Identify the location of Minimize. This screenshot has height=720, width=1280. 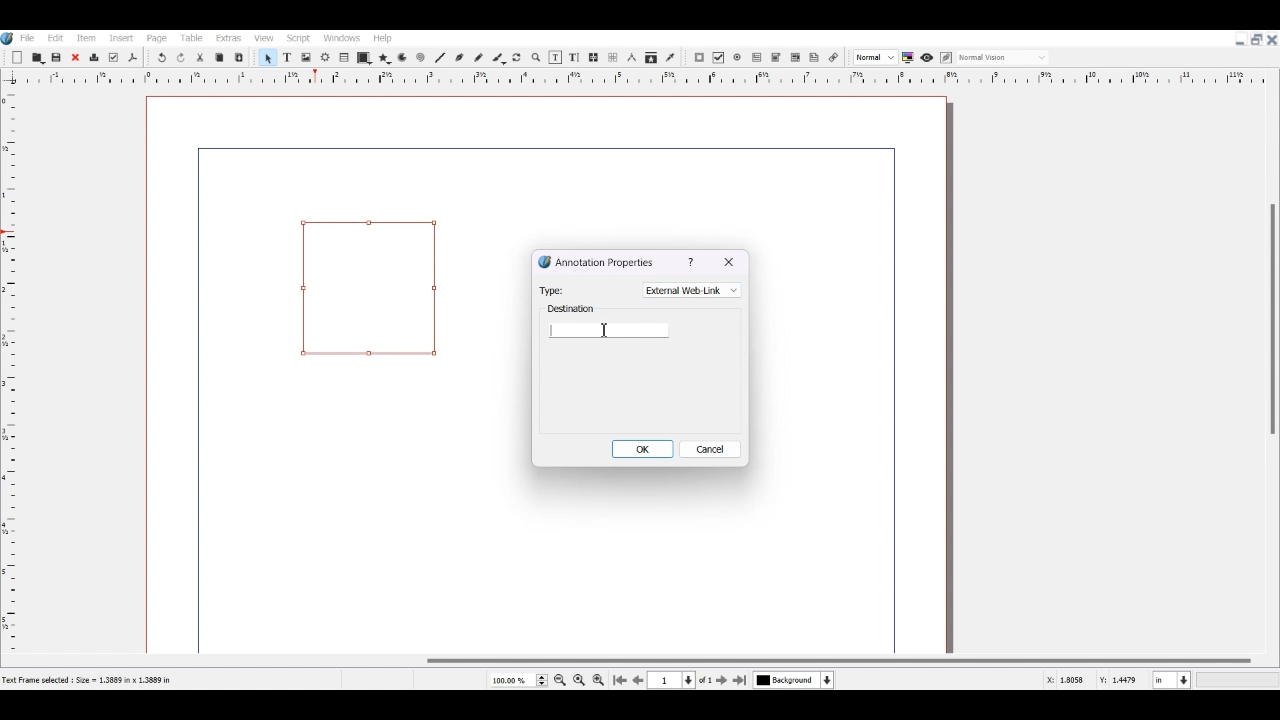
(1240, 40).